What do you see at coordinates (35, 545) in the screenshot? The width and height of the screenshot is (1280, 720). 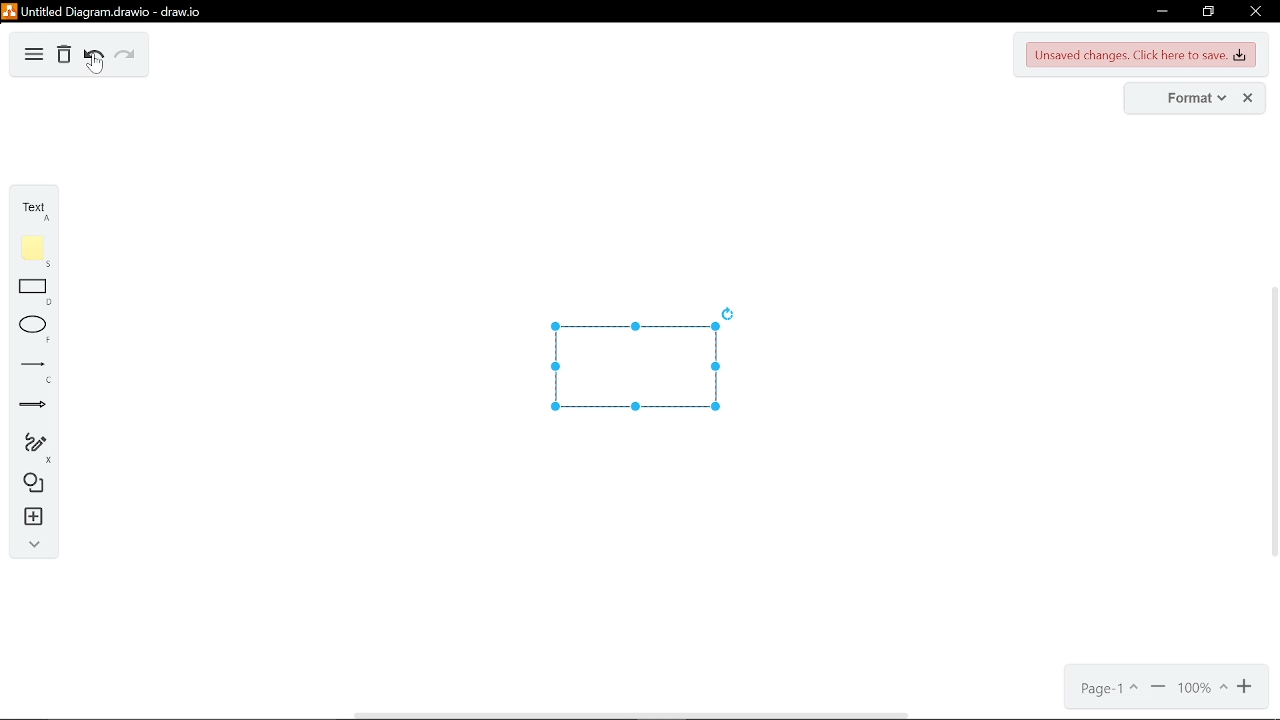 I see `collapse` at bounding box center [35, 545].